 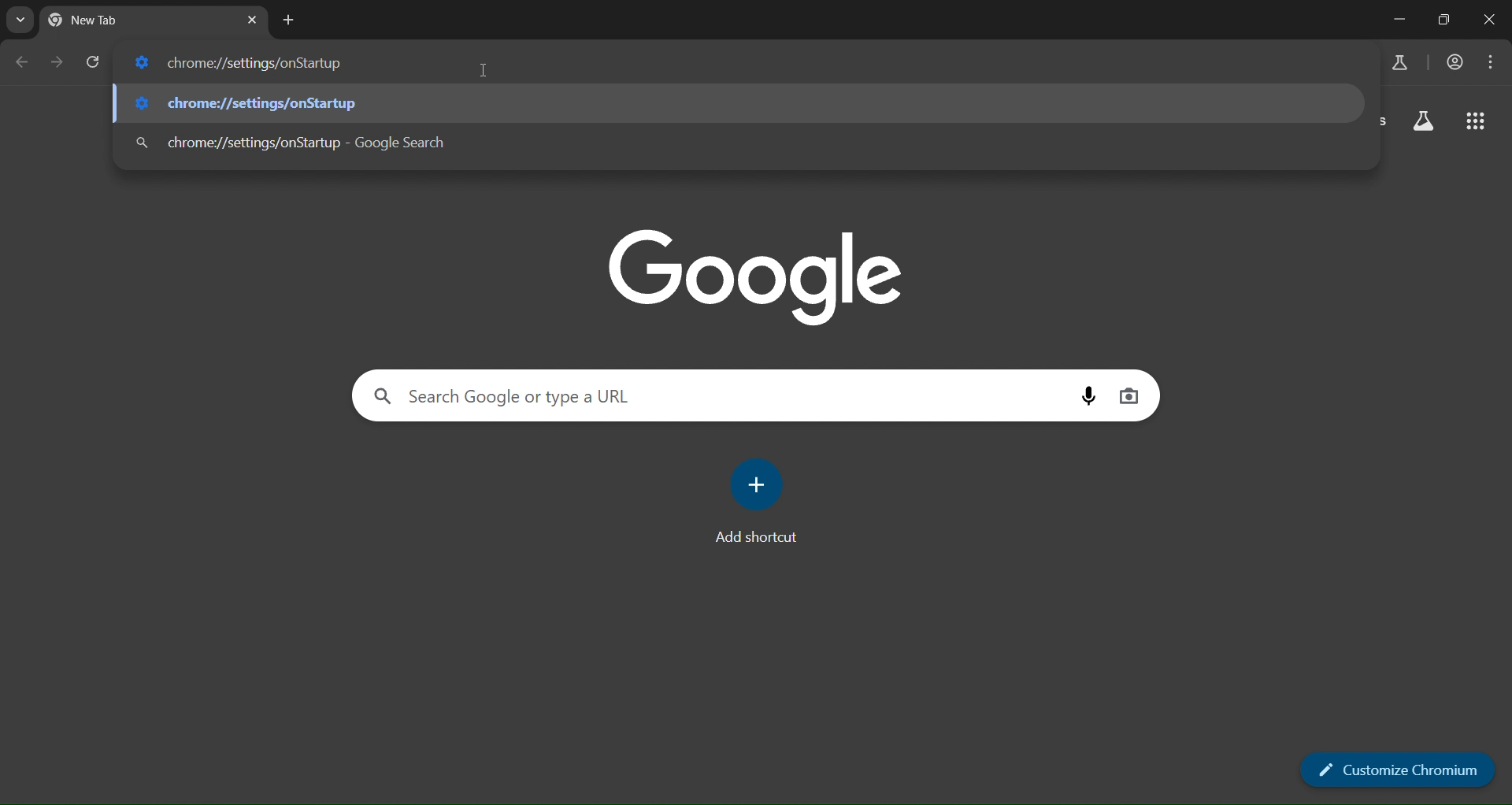 What do you see at coordinates (254, 20) in the screenshot?
I see `close tab` at bounding box center [254, 20].